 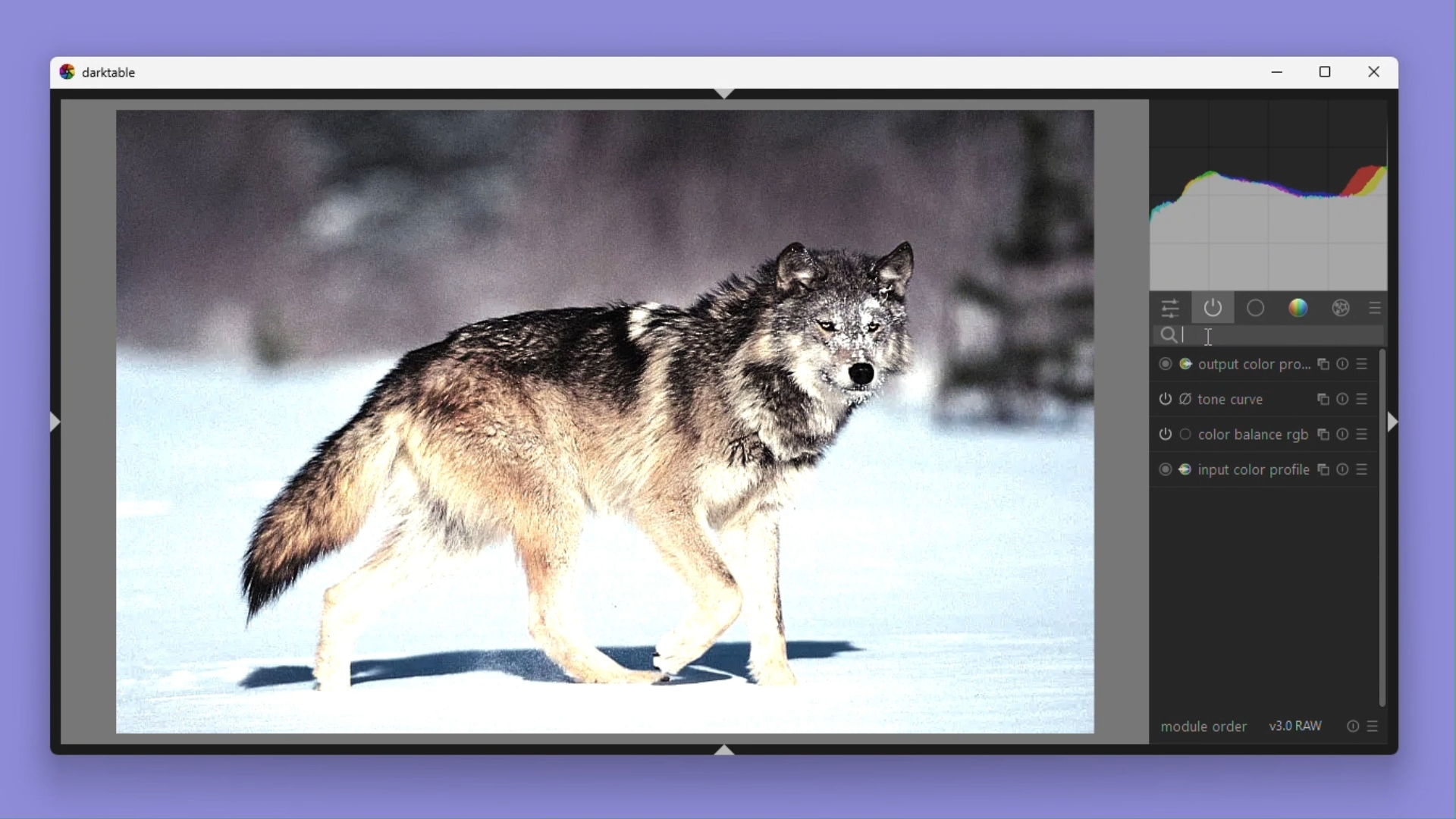 I want to click on shift+ctrl+b, so click(x=727, y=749).